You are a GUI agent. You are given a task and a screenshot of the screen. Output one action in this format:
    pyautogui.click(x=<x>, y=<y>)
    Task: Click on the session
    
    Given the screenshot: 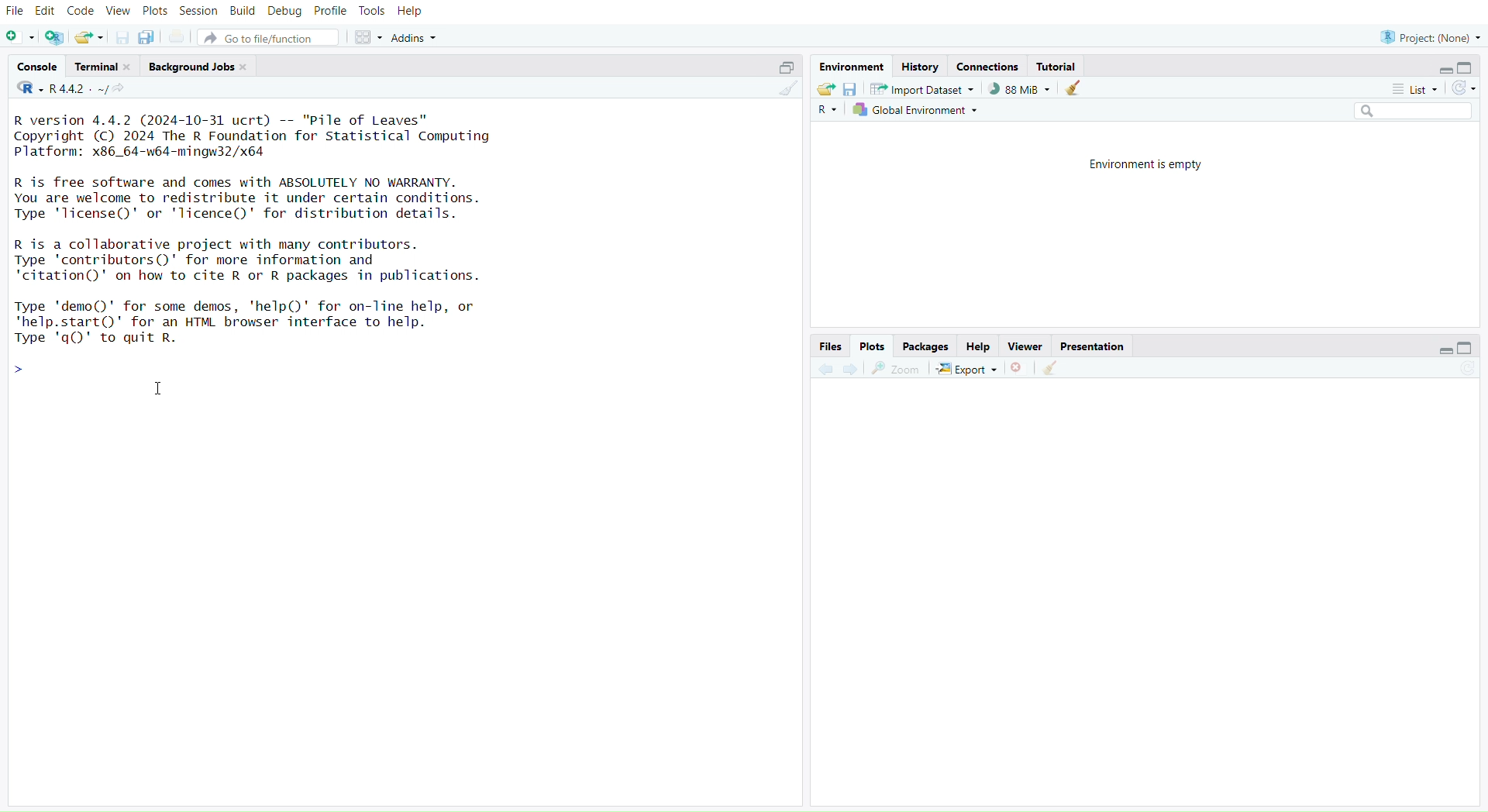 What is the action you would take?
    pyautogui.click(x=198, y=12)
    